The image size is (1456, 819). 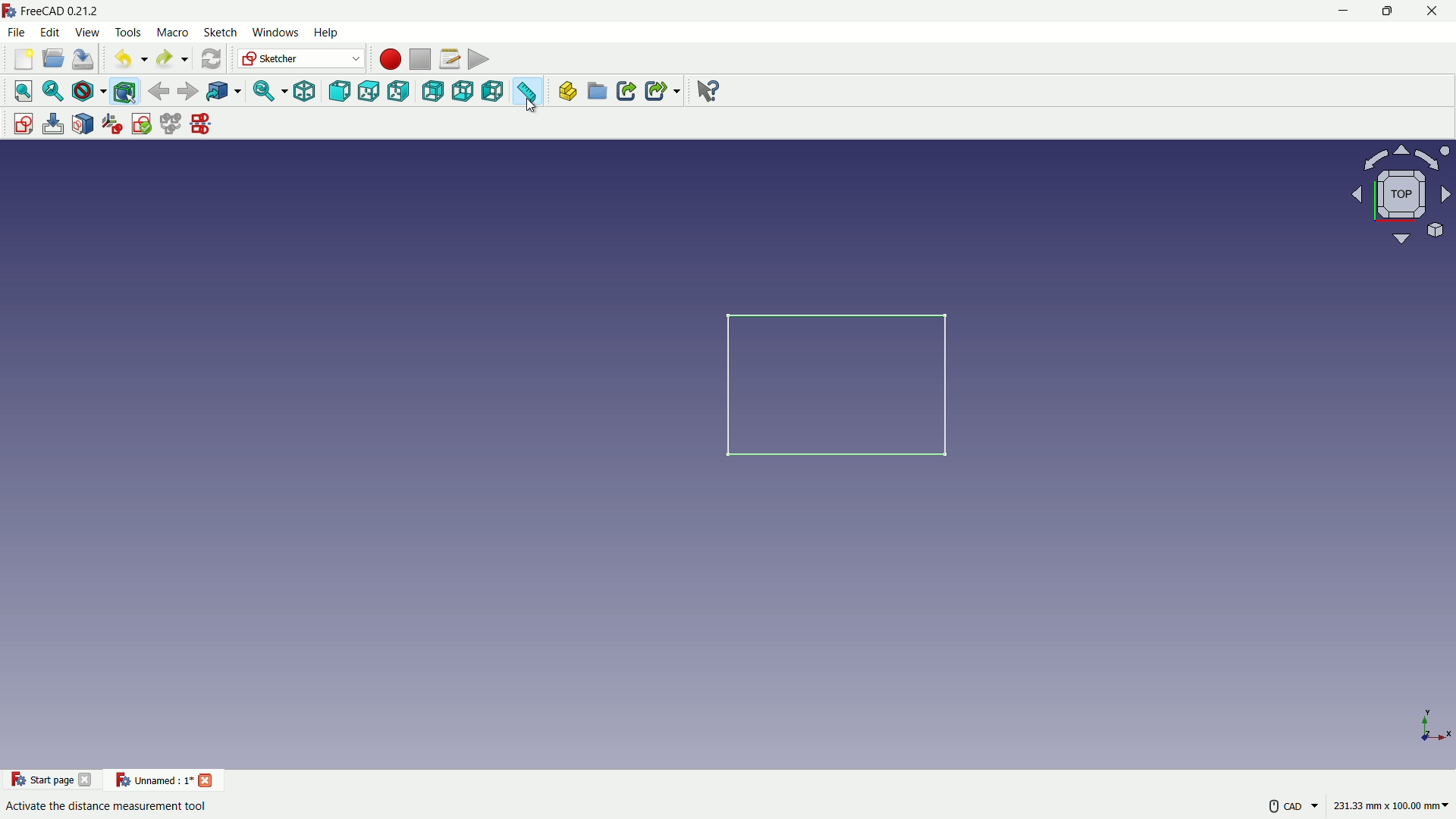 What do you see at coordinates (832, 384) in the screenshot?
I see `rectangle` at bounding box center [832, 384].